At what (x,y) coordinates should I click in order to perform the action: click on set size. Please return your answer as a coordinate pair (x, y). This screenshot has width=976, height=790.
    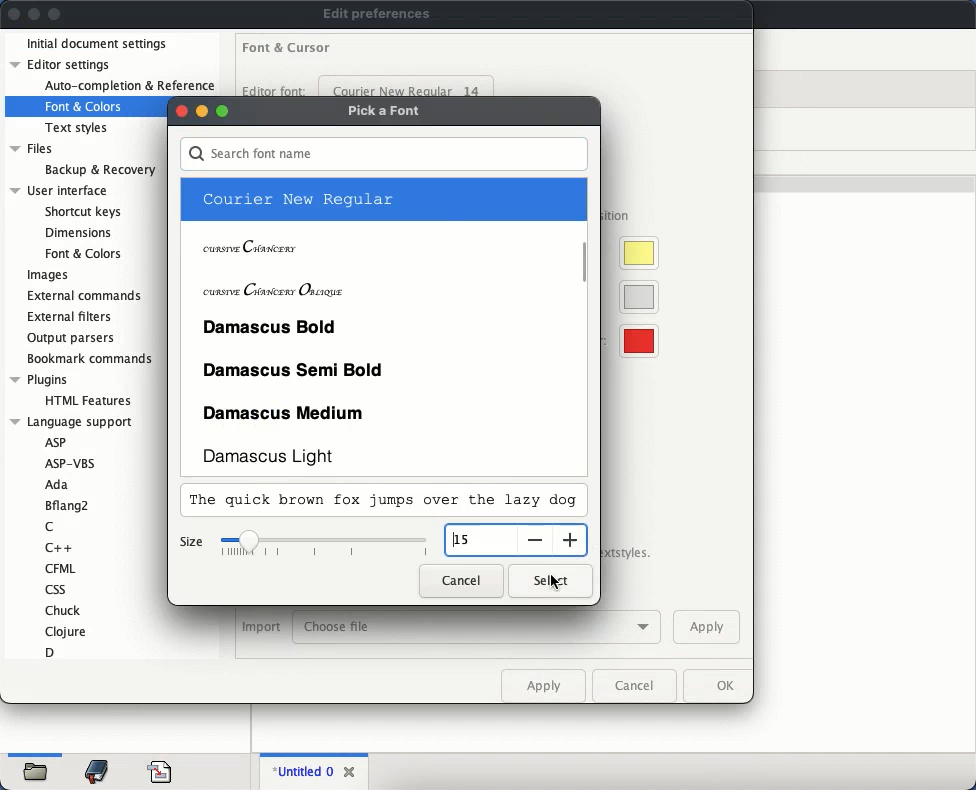
    Looking at the image, I should click on (480, 540).